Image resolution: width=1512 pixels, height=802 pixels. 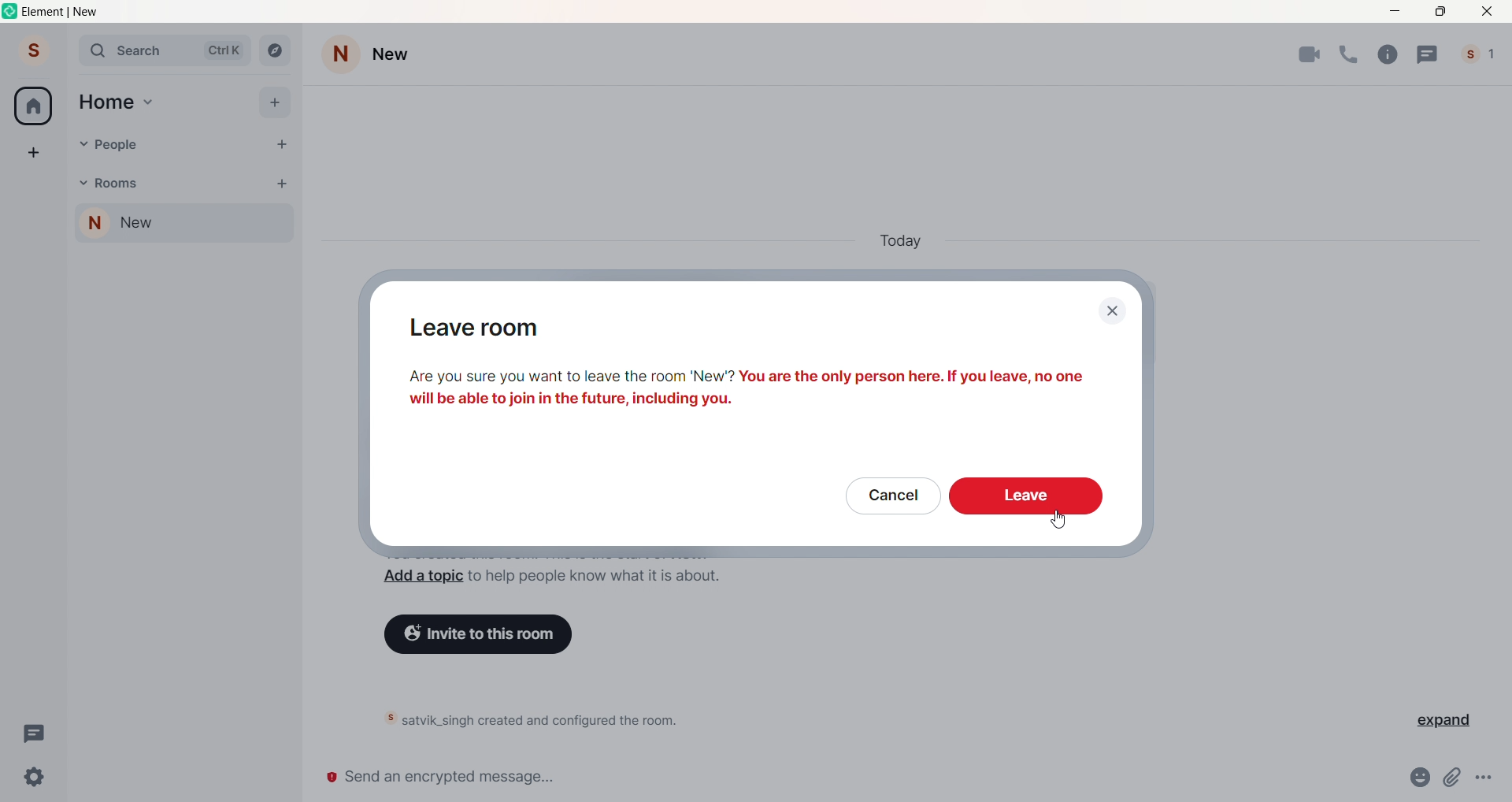 What do you see at coordinates (81, 144) in the screenshot?
I see `Drop Down` at bounding box center [81, 144].